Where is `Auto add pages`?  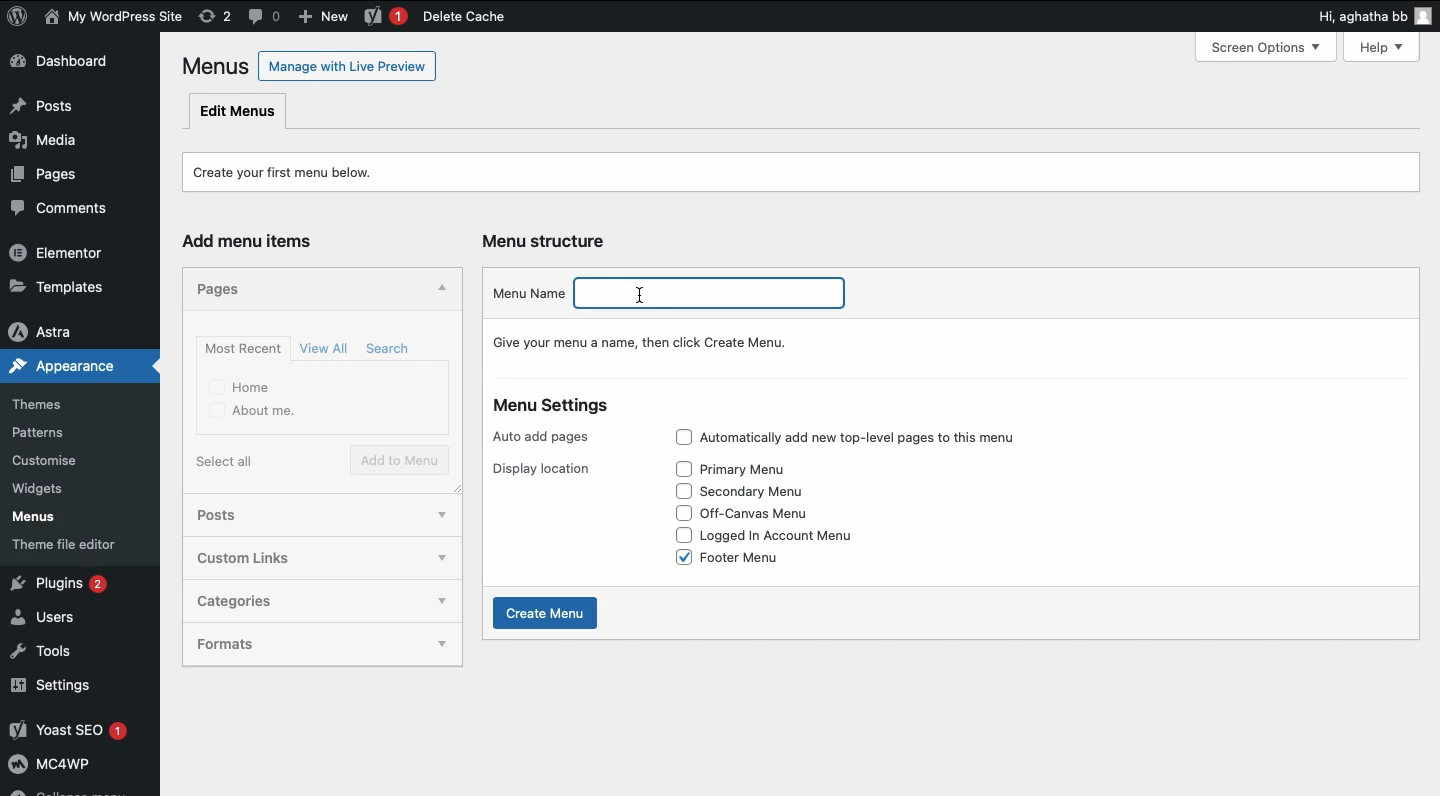
Auto add pages is located at coordinates (540, 438).